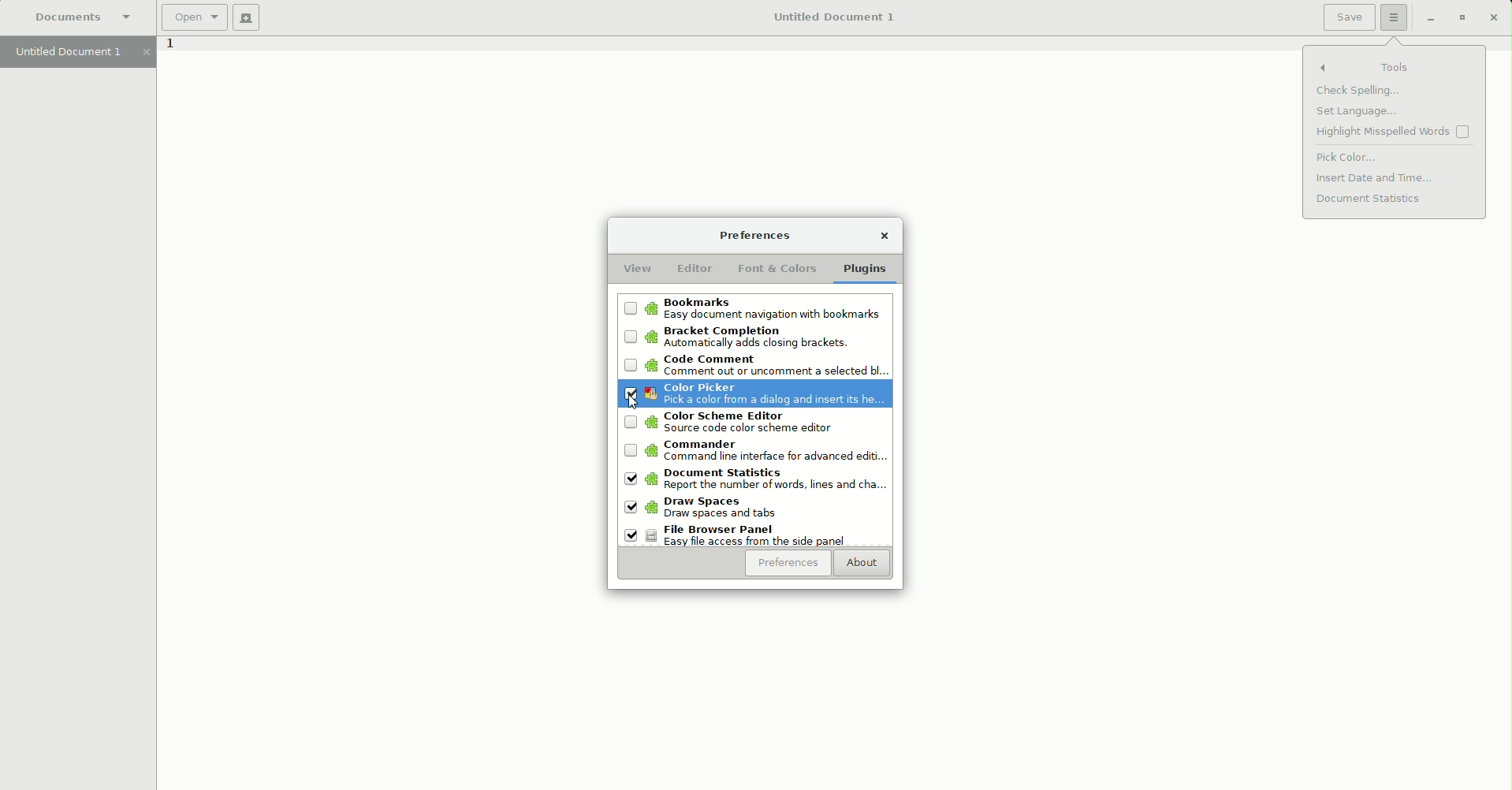  Describe the element at coordinates (884, 237) in the screenshot. I see `Close` at that location.